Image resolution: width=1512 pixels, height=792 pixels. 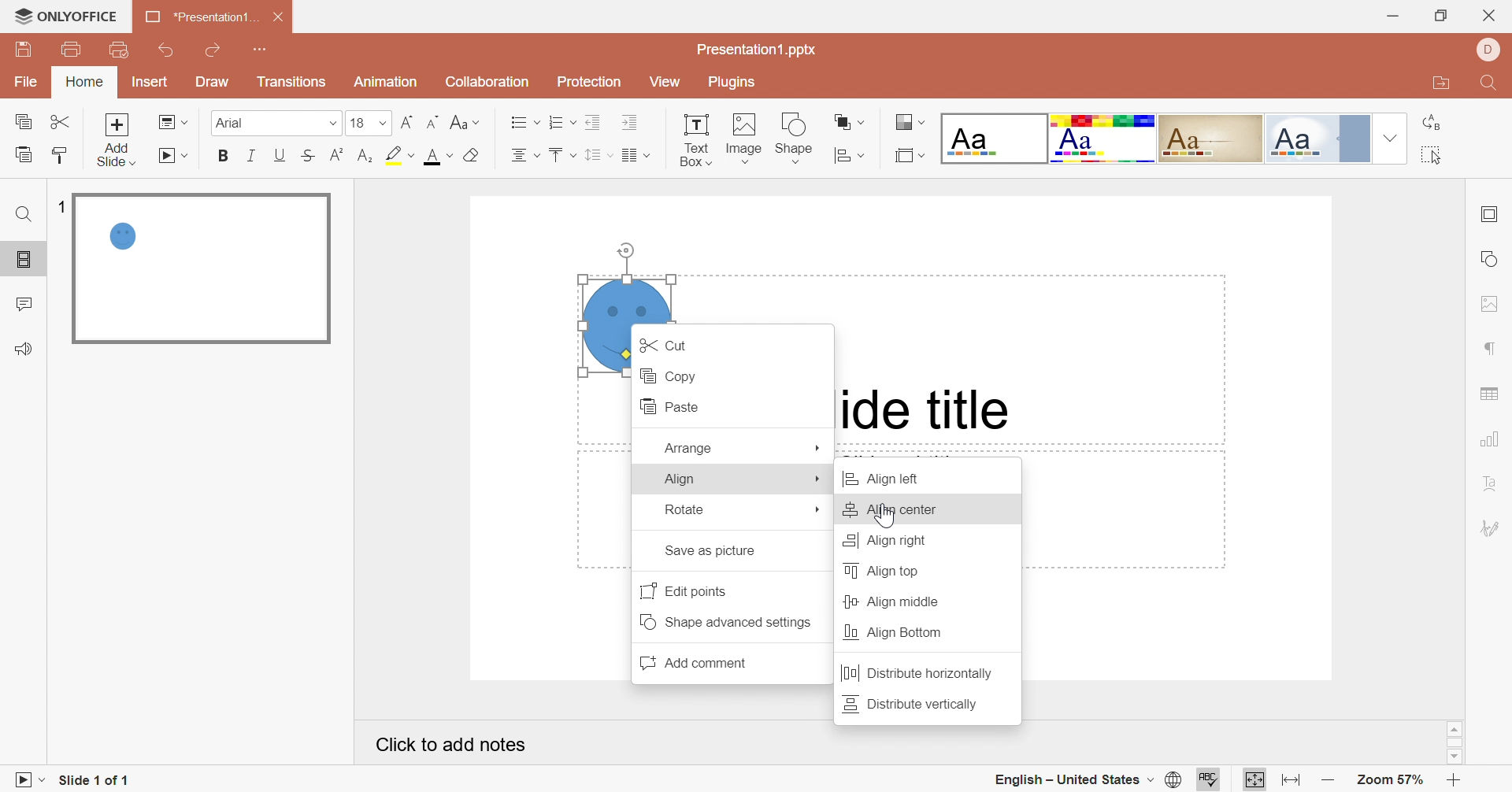 I want to click on Find, so click(x=1487, y=86).